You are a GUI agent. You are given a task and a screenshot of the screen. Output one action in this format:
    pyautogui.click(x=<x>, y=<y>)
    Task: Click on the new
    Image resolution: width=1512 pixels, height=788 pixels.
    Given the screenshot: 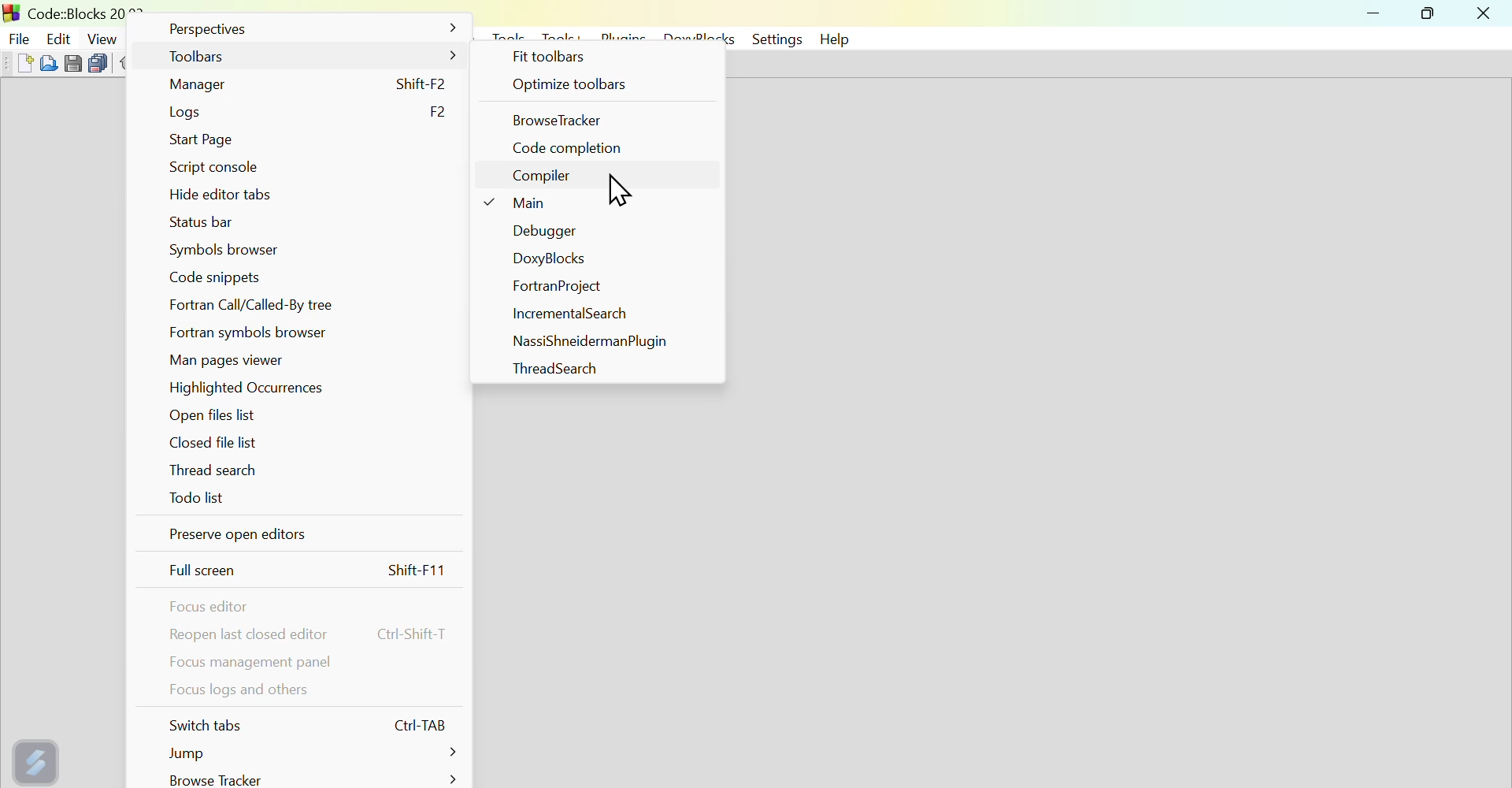 What is the action you would take?
    pyautogui.click(x=16, y=63)
    